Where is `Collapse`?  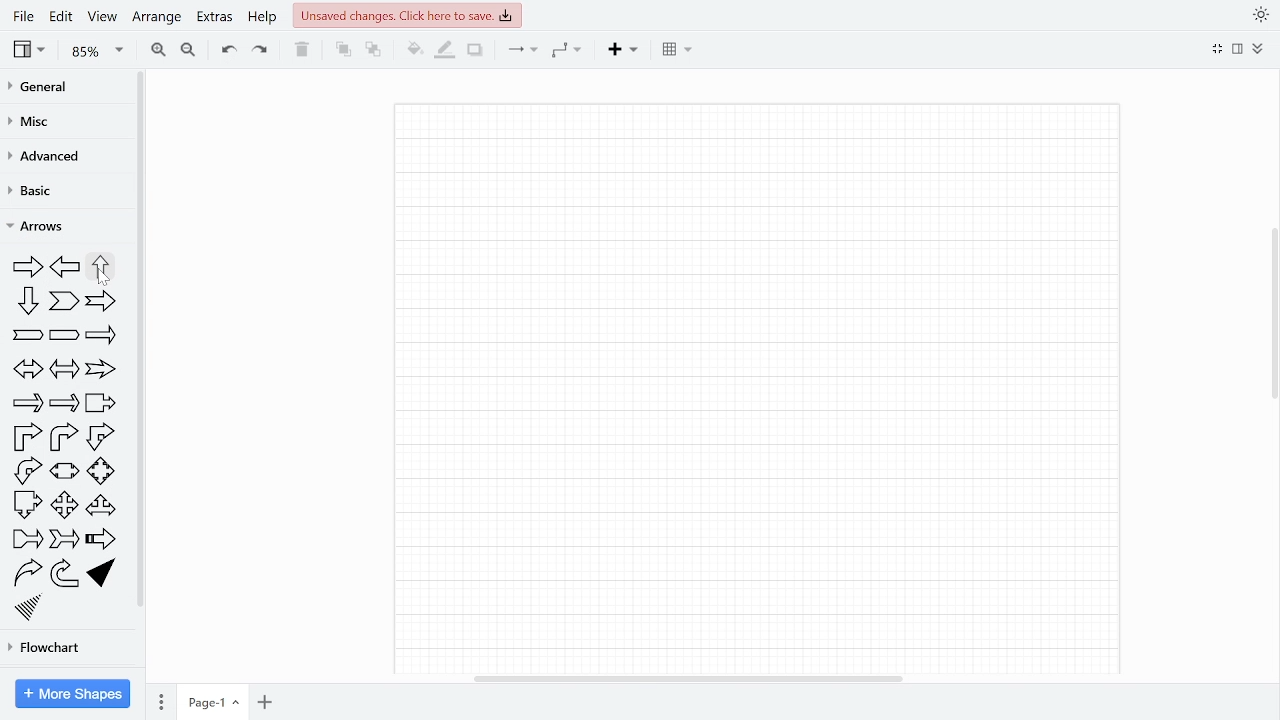
Collapse is located at coordinates (1258, 49).